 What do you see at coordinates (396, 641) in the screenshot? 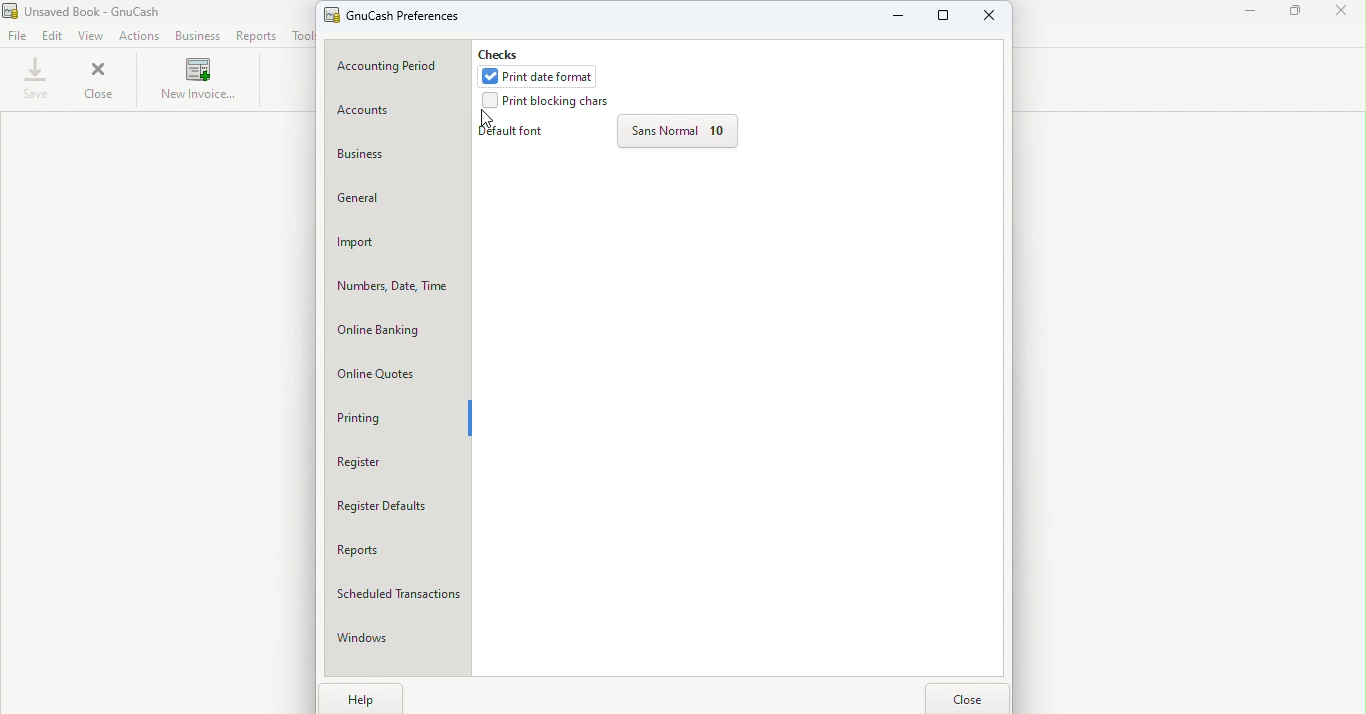
I see `Windows` at bounding box center [396, 641].